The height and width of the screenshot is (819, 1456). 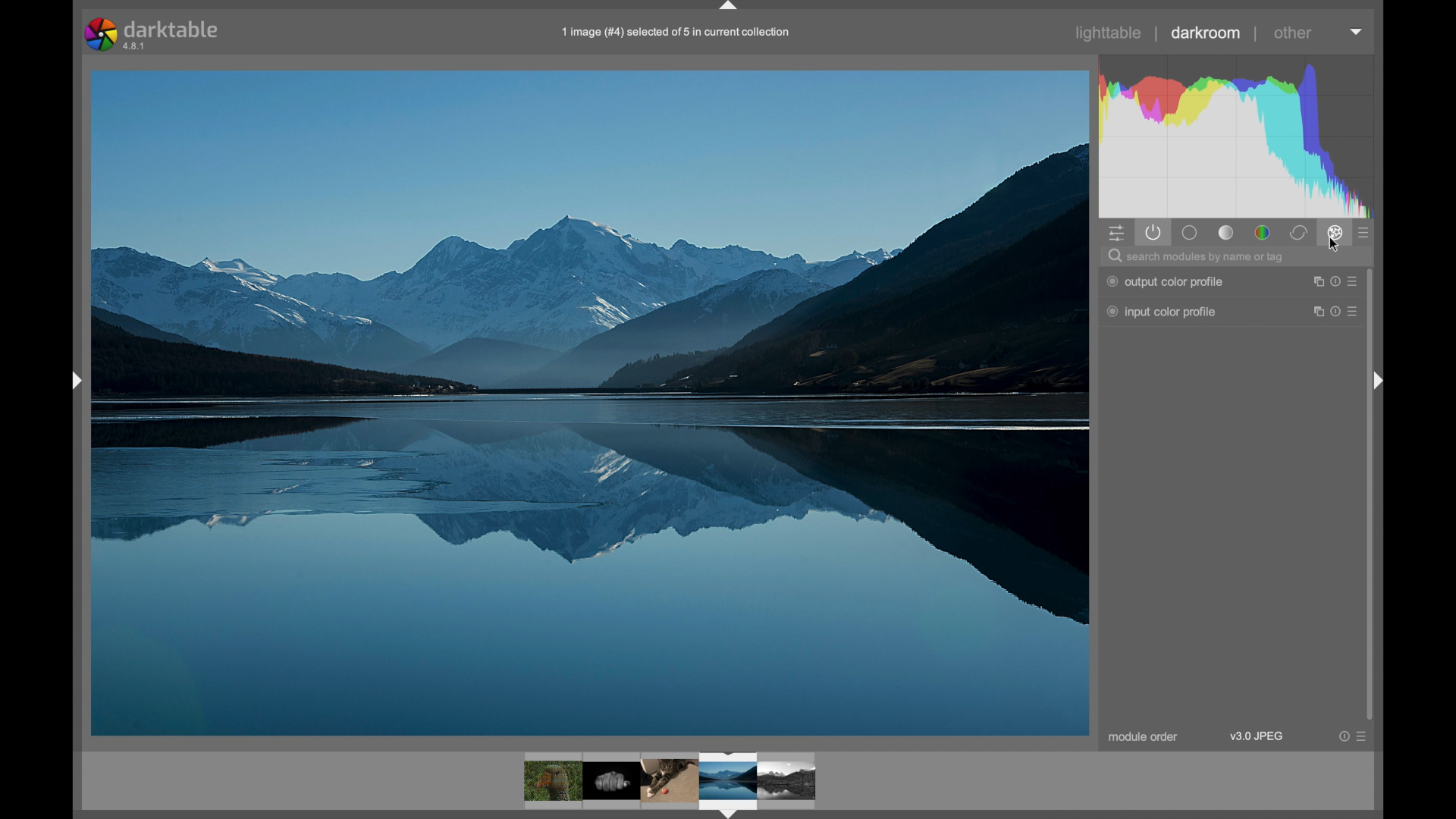 What do you see at coordinates (672, 783) in the screenshot?
I see `photo preview` at bounding box center [672, 783].